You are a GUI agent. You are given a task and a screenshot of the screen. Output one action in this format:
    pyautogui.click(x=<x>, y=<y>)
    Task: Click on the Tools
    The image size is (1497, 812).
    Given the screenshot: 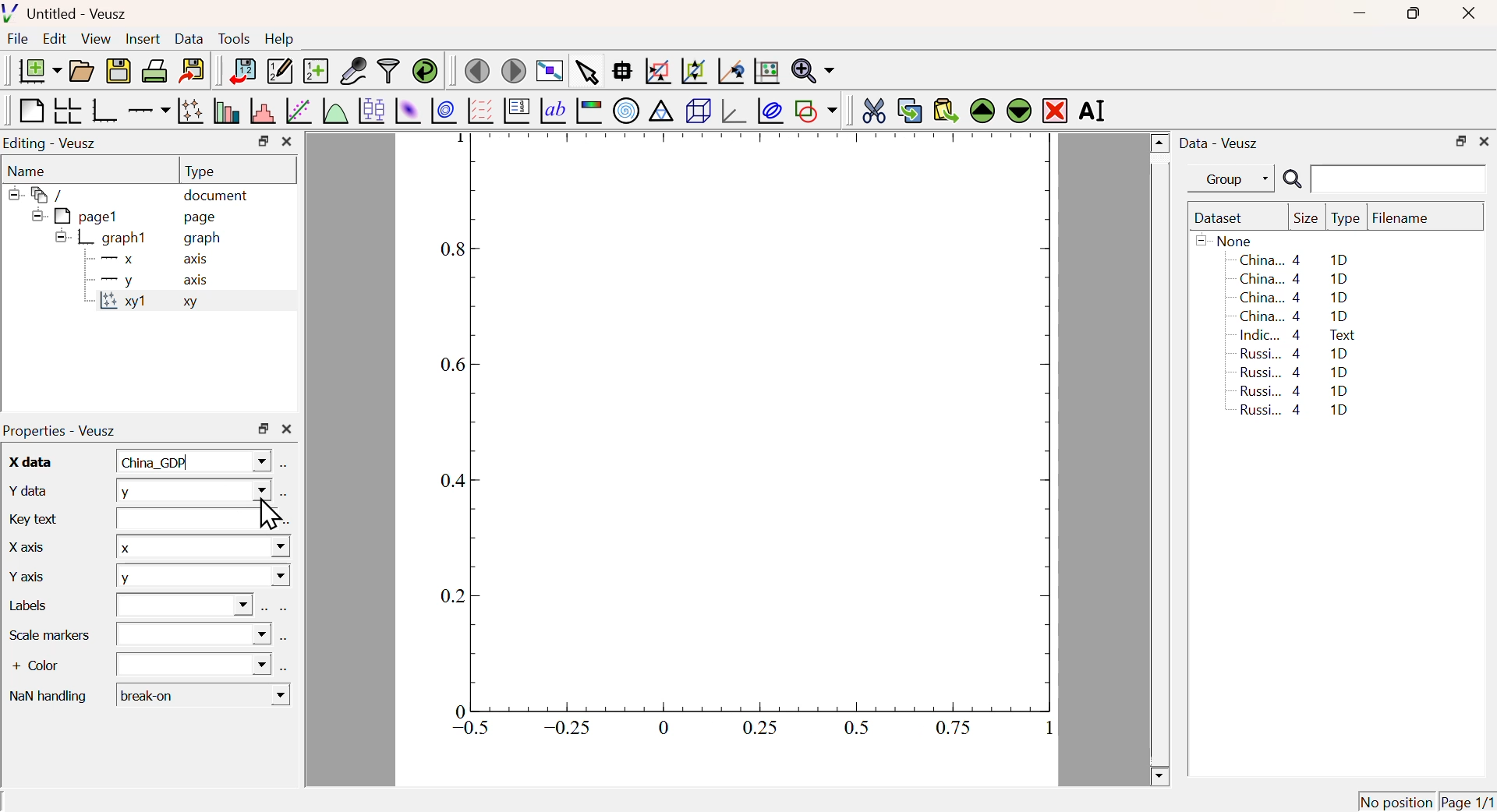 What is the action you would take?
    pyautogui.click(x=234, y=40)
    